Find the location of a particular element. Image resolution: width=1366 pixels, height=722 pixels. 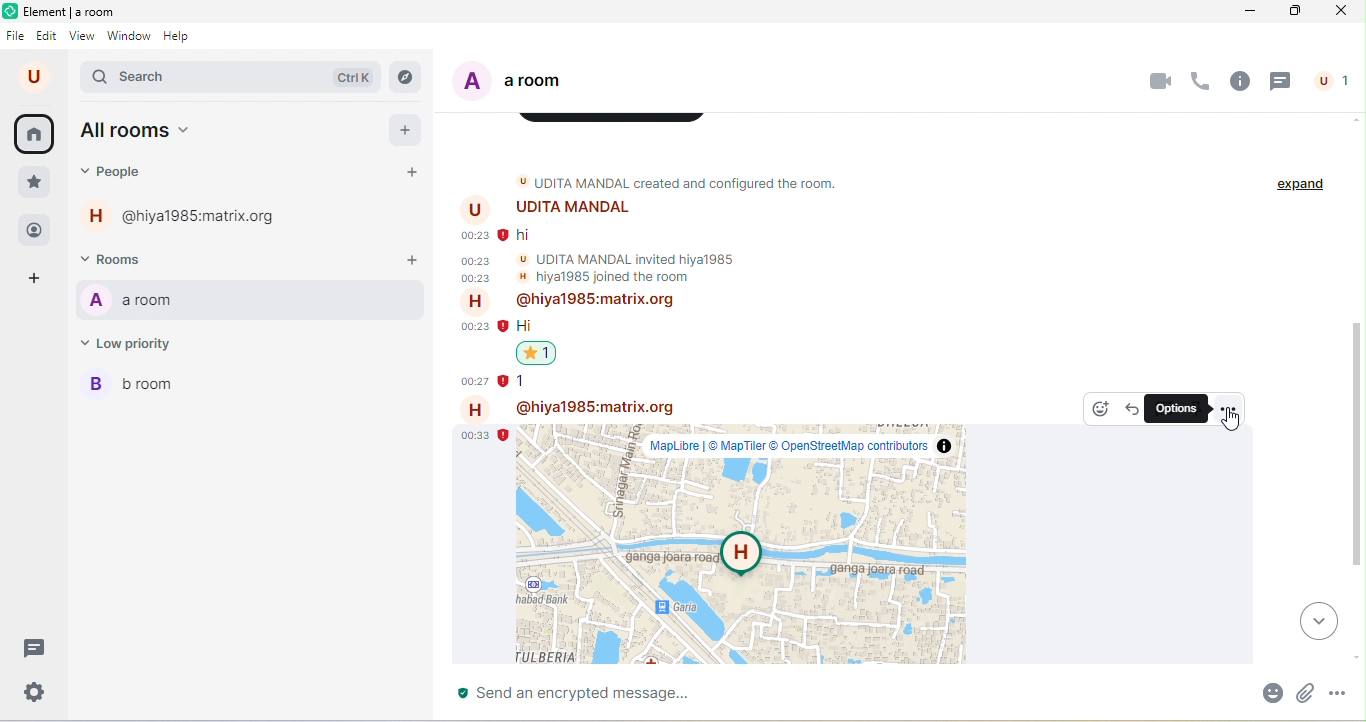

add room is located at coordinates (405, 255).